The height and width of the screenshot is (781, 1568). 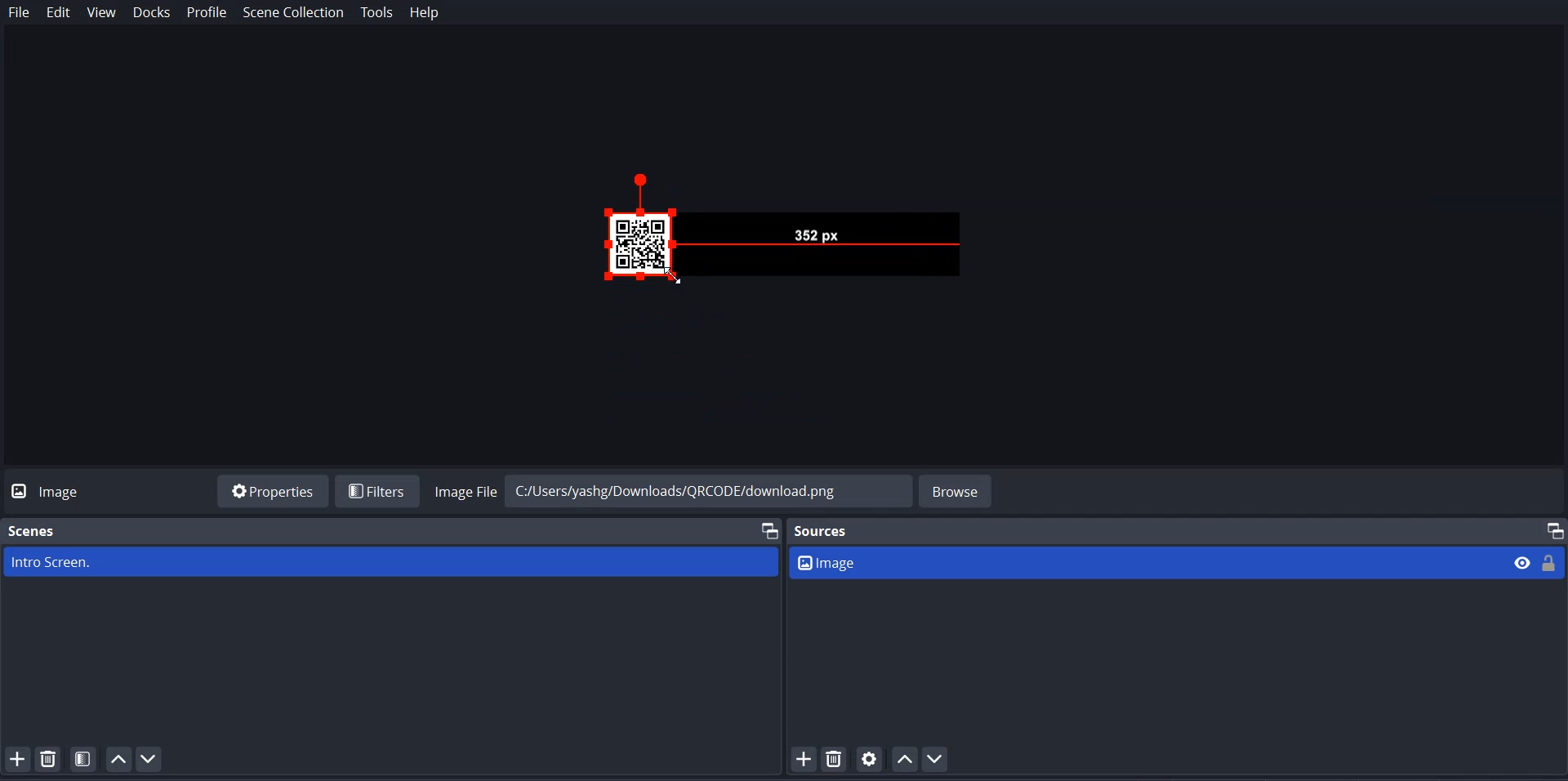 What do you see at coordinates (51, 759) in the screenshot?
I see `Remove Selected Scene` at bounding box center [51, 759].